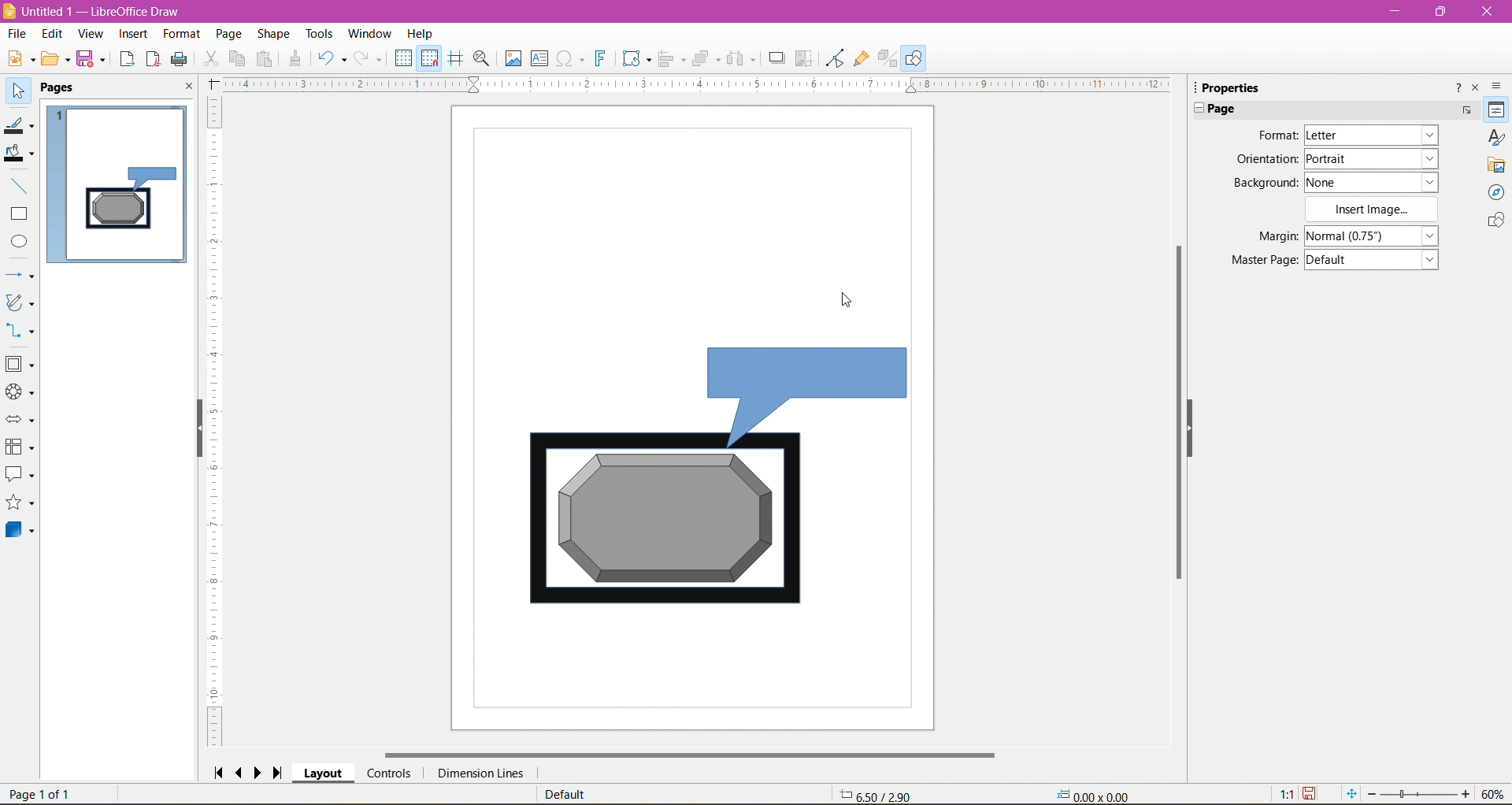 The width and height of the screenshot is (1512, 805). Describe the element at coordinates (1262, 183) in the screenshot. I see `Background` at that location.